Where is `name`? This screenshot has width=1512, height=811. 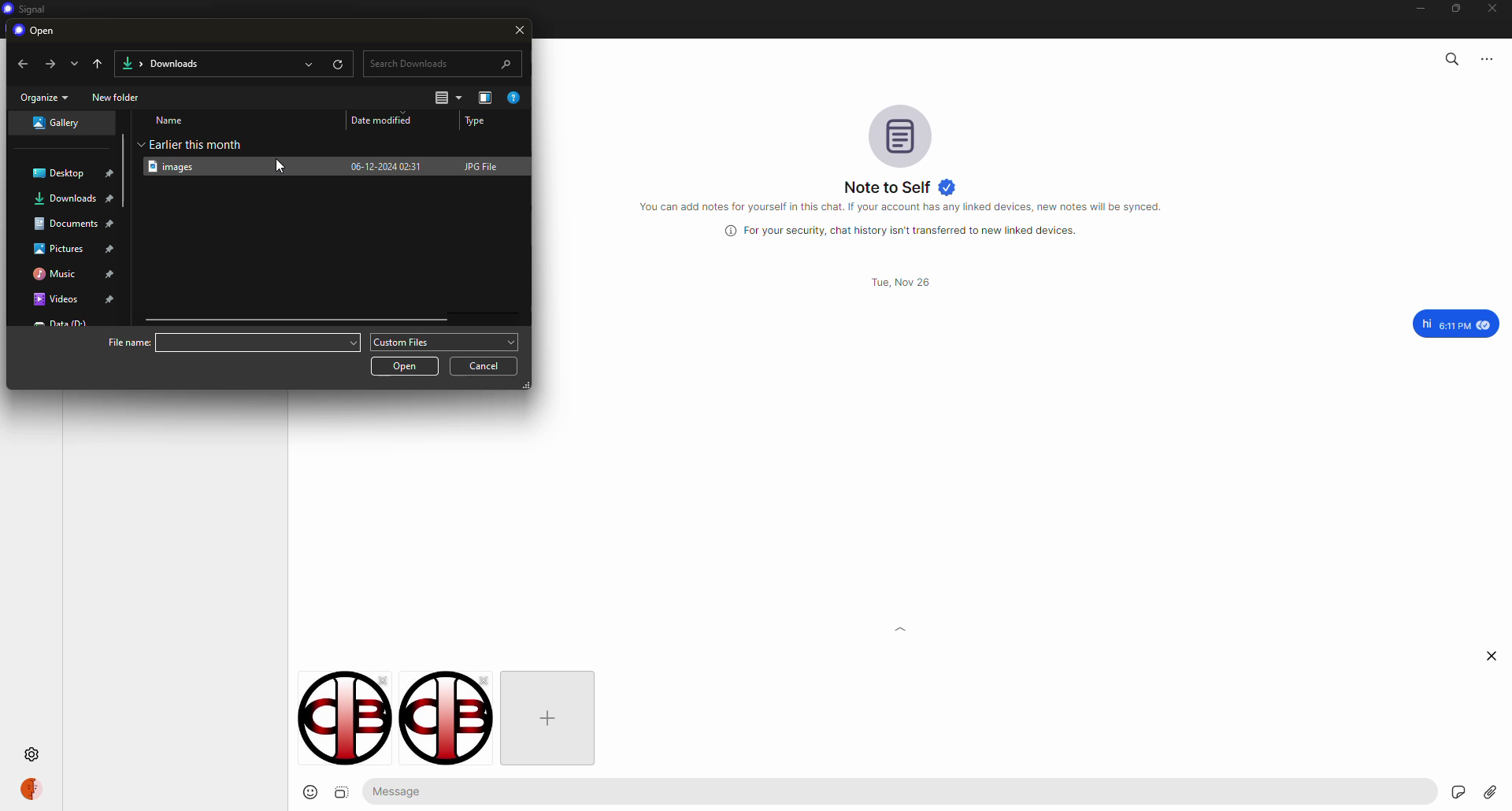
name is located at coordinates (172, 120).